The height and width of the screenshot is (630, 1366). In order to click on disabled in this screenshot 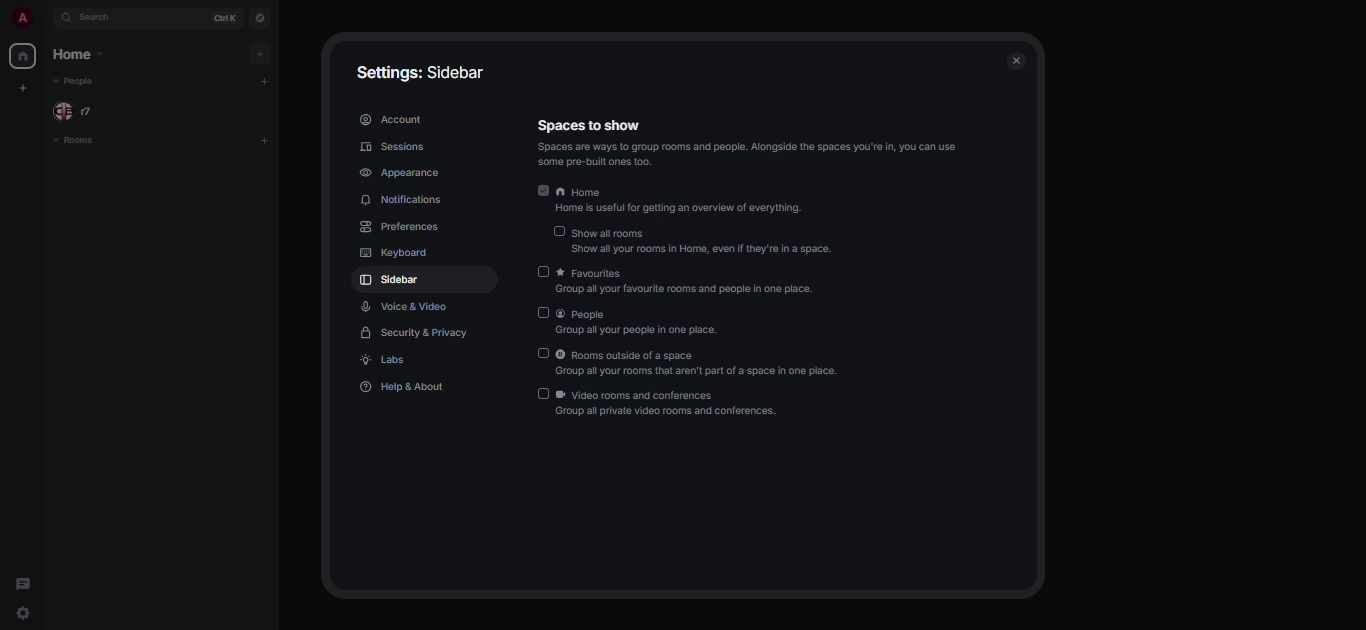, I will do `click(541, 396)`.